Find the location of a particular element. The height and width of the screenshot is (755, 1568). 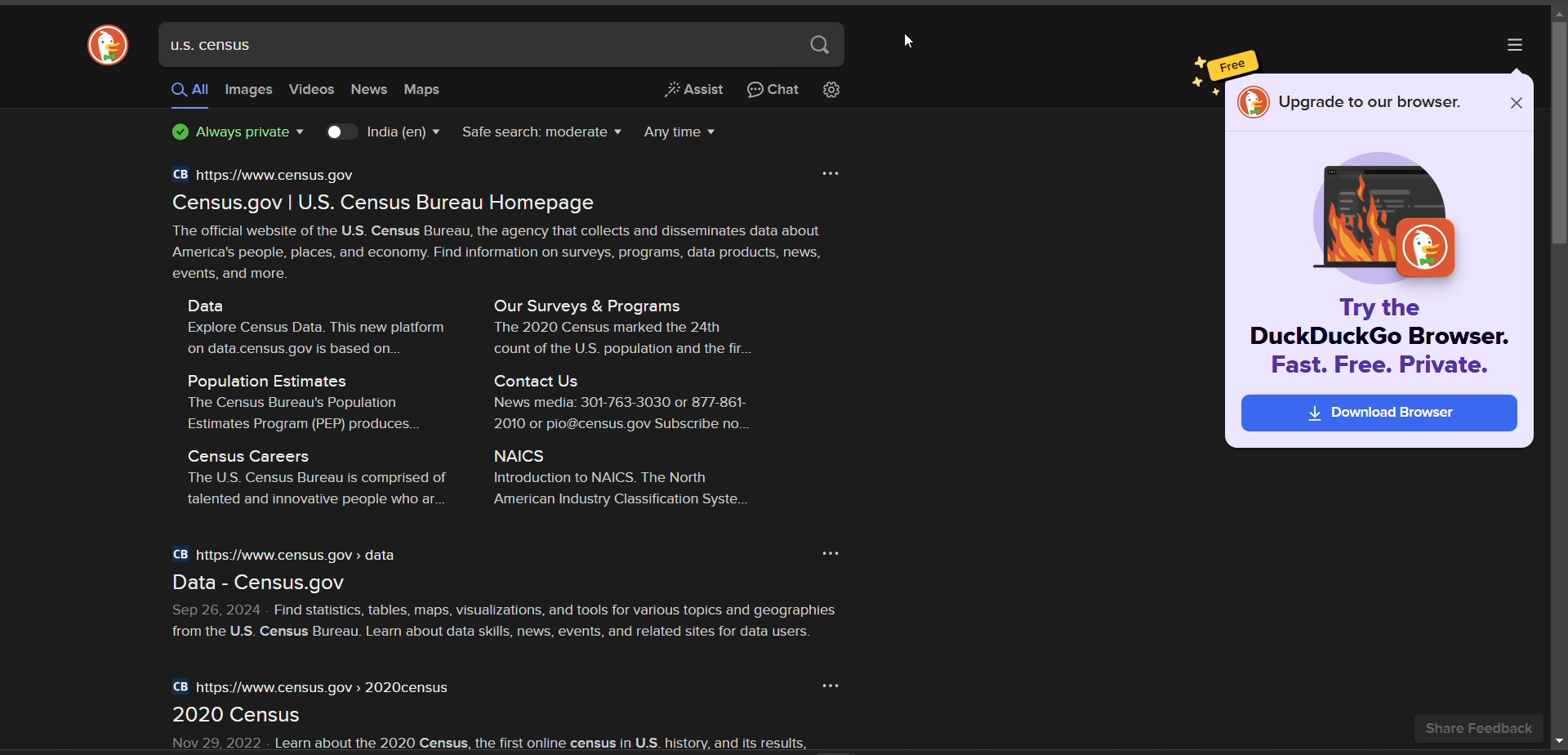

Always private is located at coordinates (224, 135).